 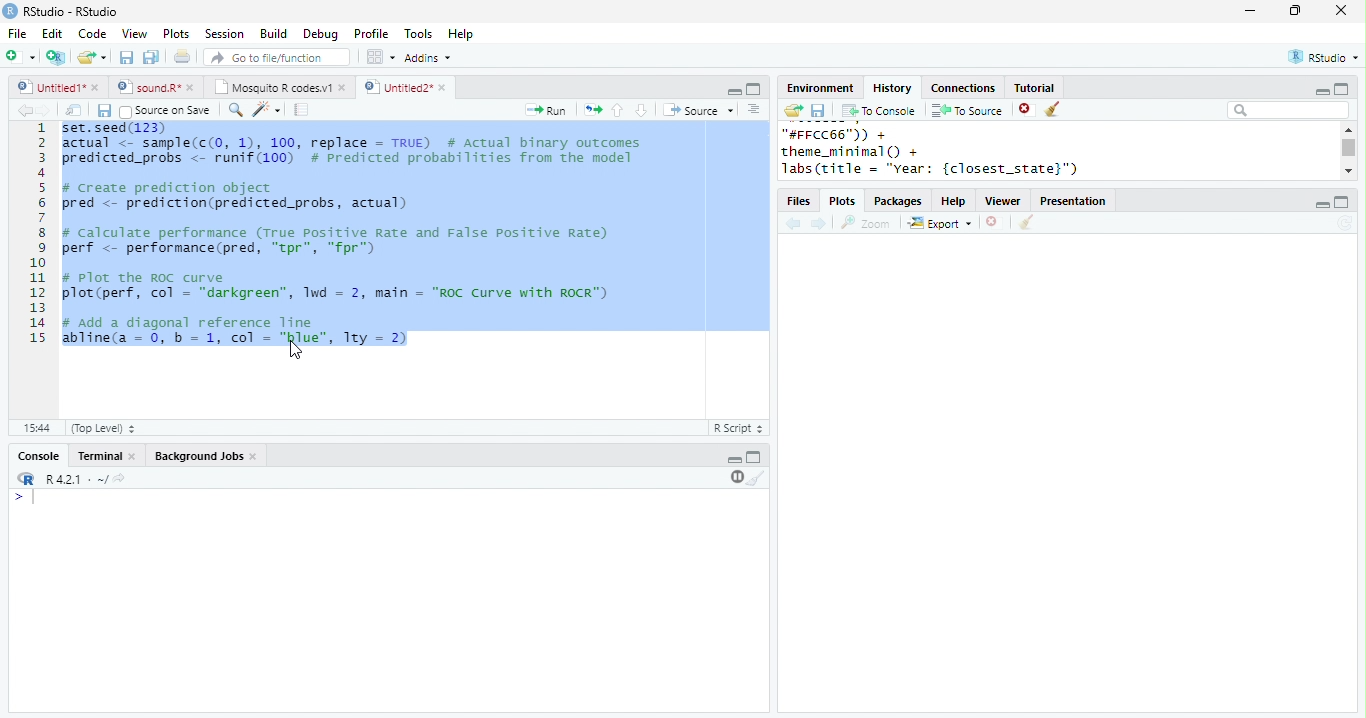 I want to click on open folder, so click(x=792, y=110).